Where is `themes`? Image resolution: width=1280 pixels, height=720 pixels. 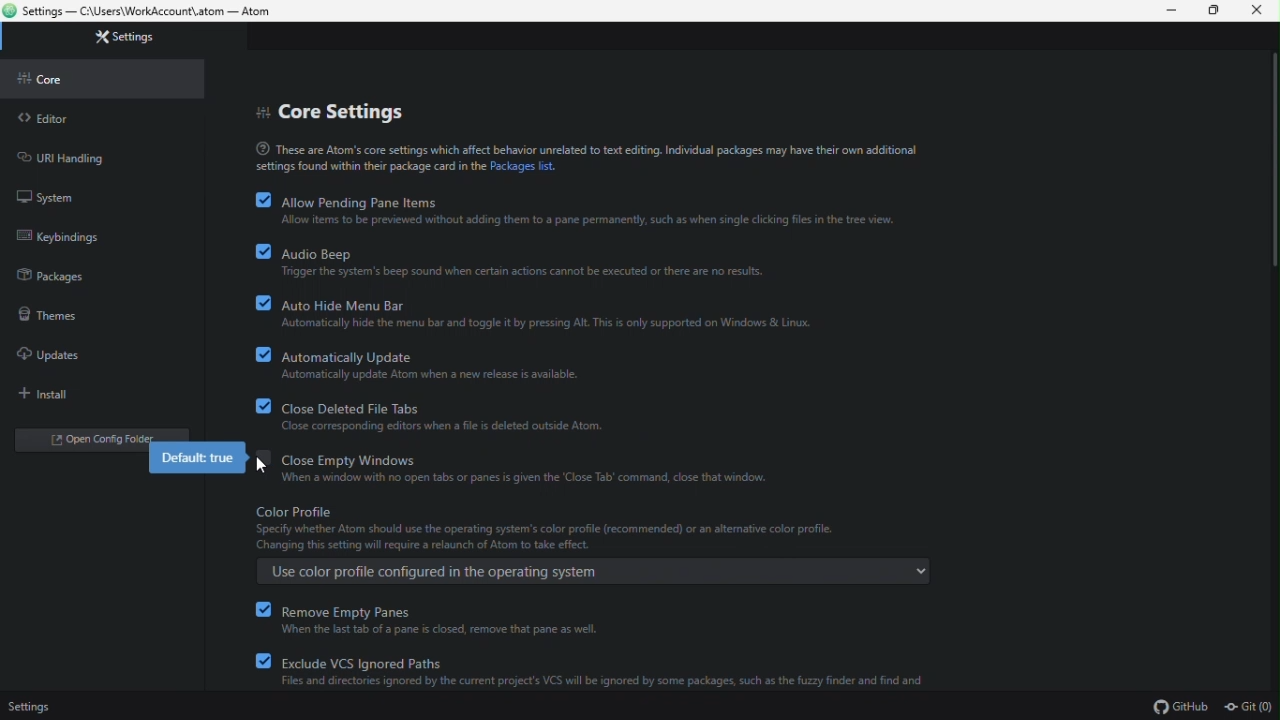
themes is located at coordinates (54, 315).